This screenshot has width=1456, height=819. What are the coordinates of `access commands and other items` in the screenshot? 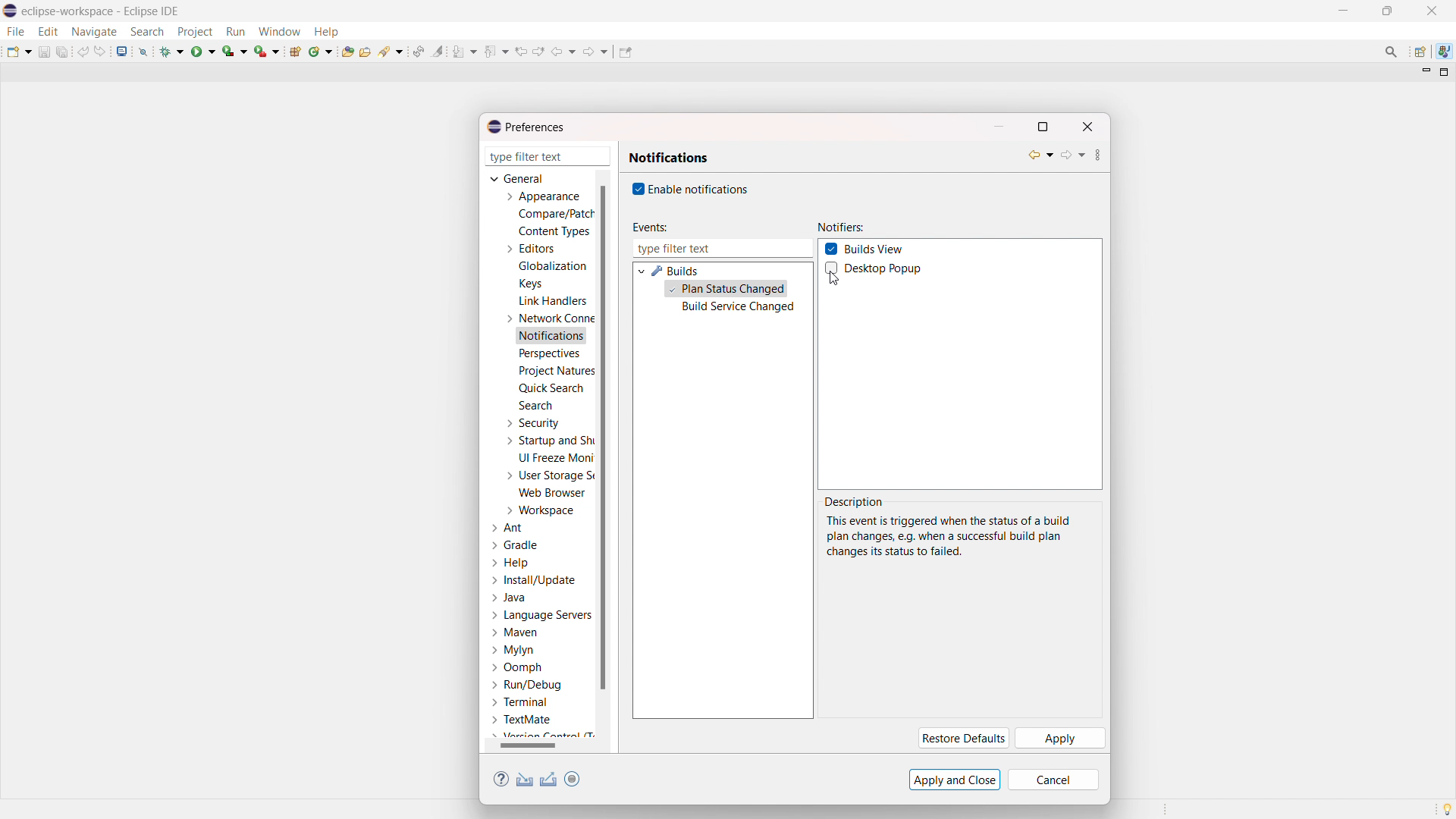 It's located at (1392, 52).